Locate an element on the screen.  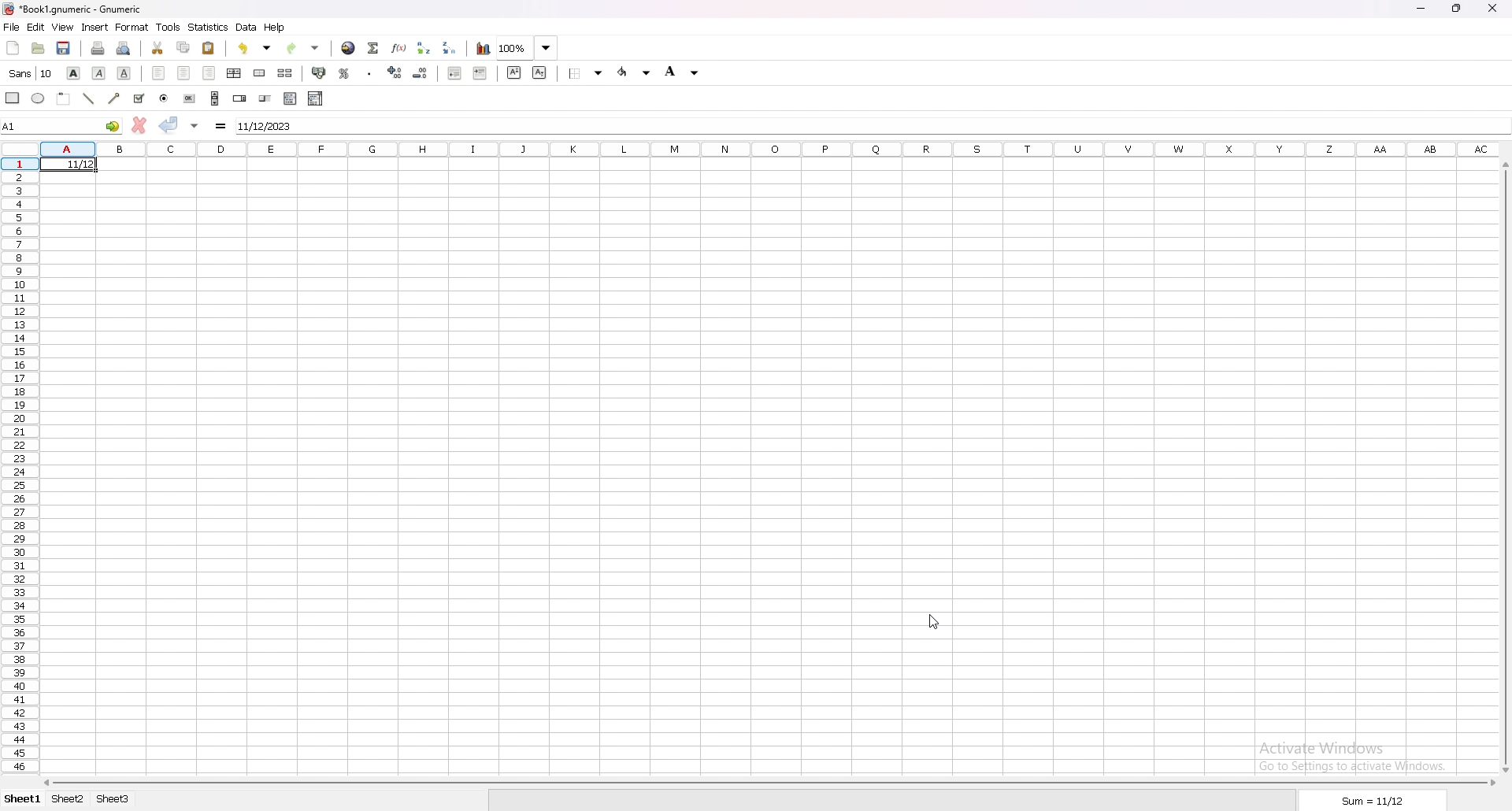
scroll bar is located at coordinates (771, 783).